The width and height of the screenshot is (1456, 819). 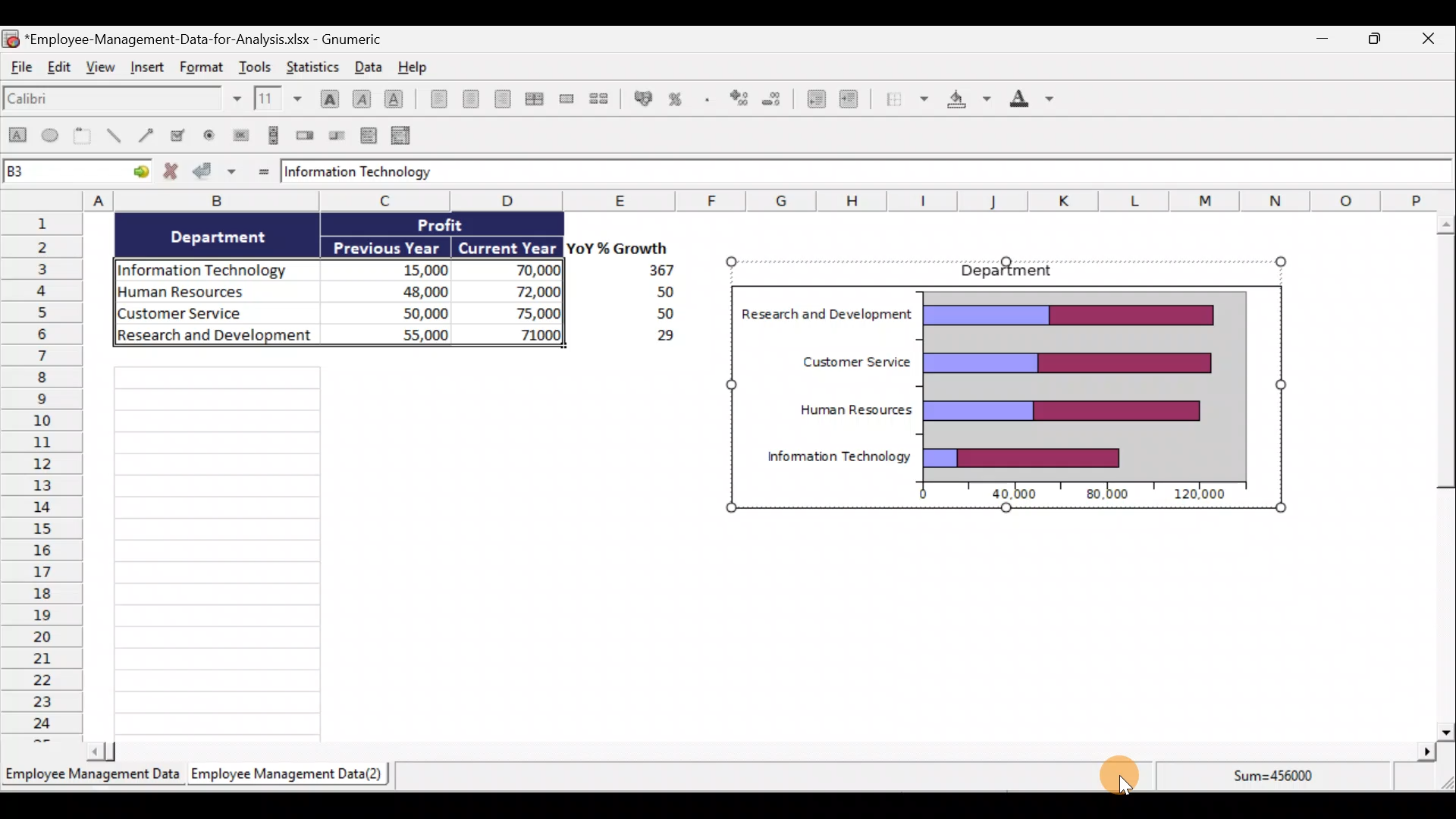 What do you see at coordinates (370, 132) in the screenshot?
I see `Create a list` at bounding box center [370, 132].